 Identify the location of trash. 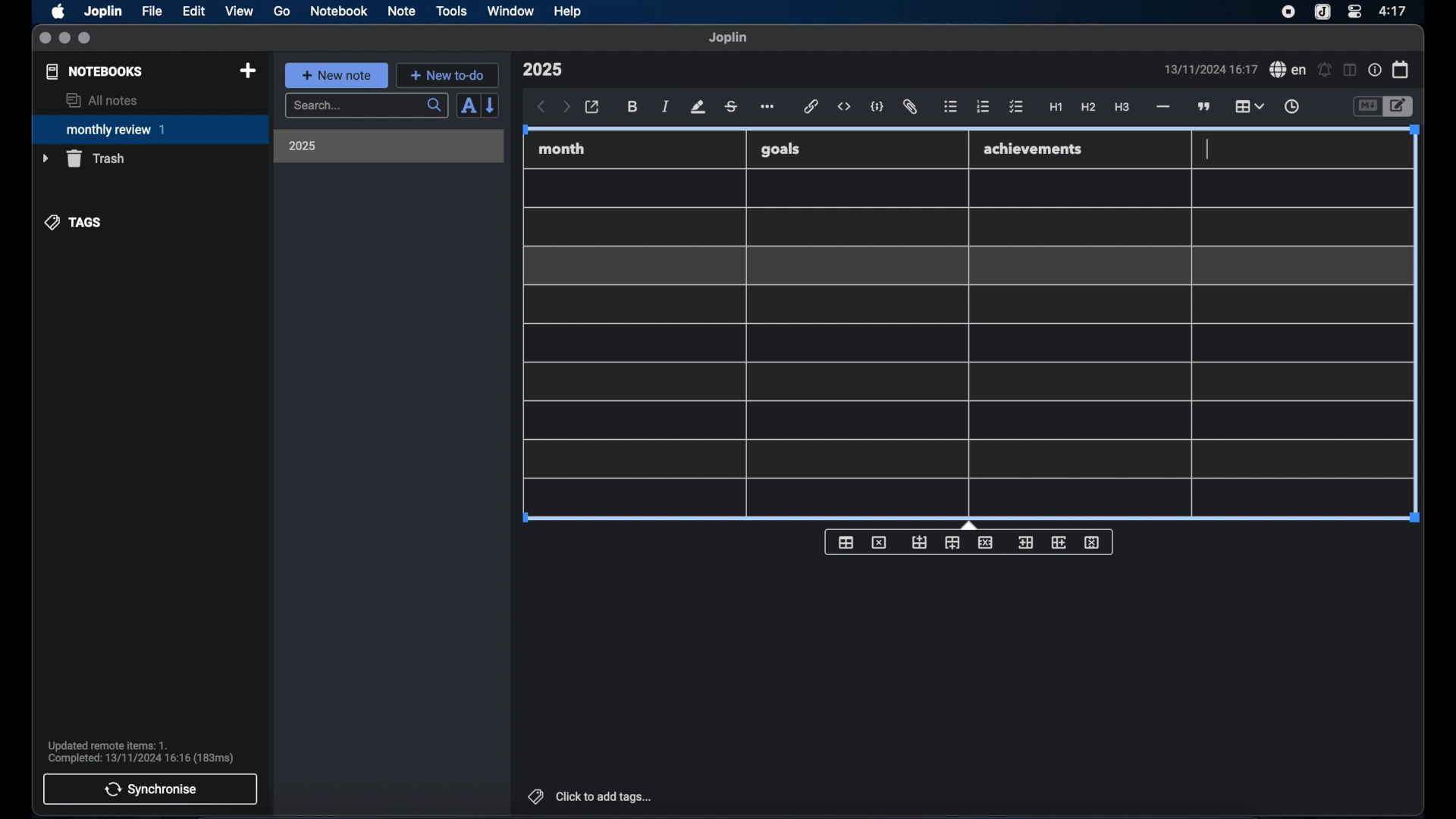
(83, 158).